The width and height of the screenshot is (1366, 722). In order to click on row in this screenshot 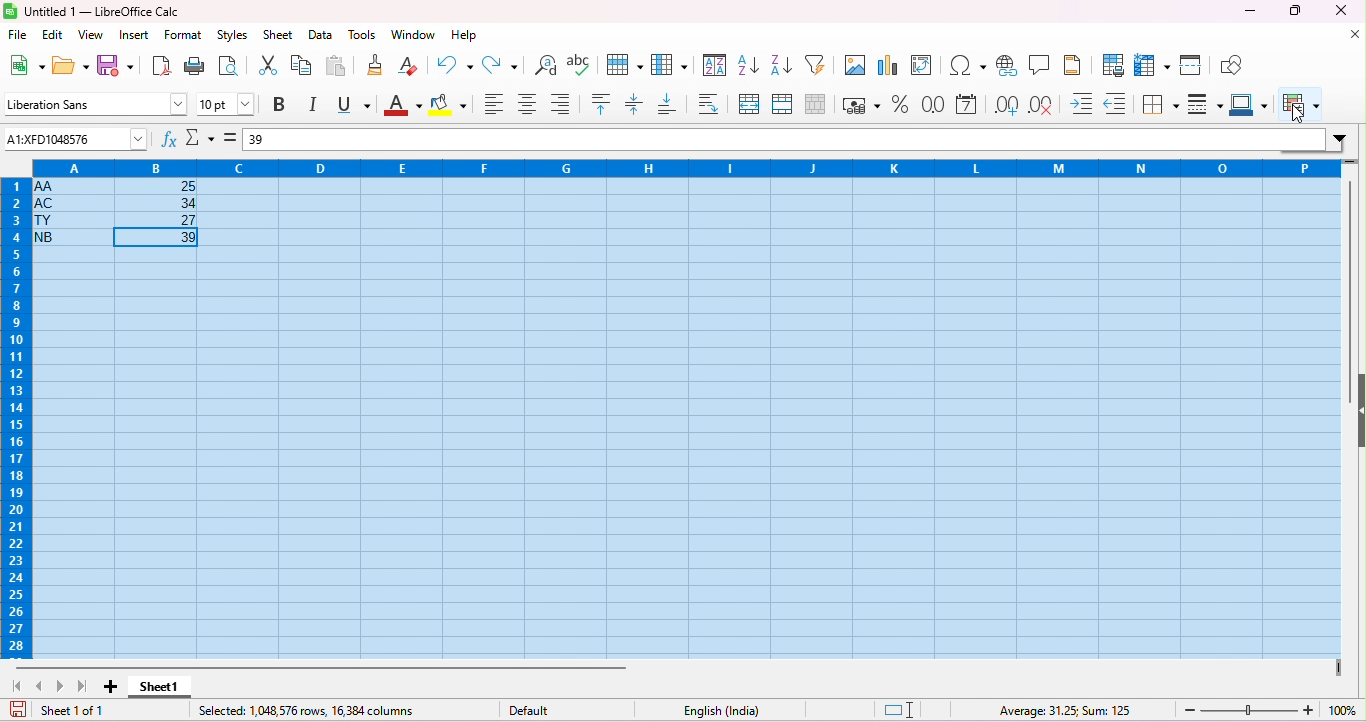, I will do `click(623, 64)`.